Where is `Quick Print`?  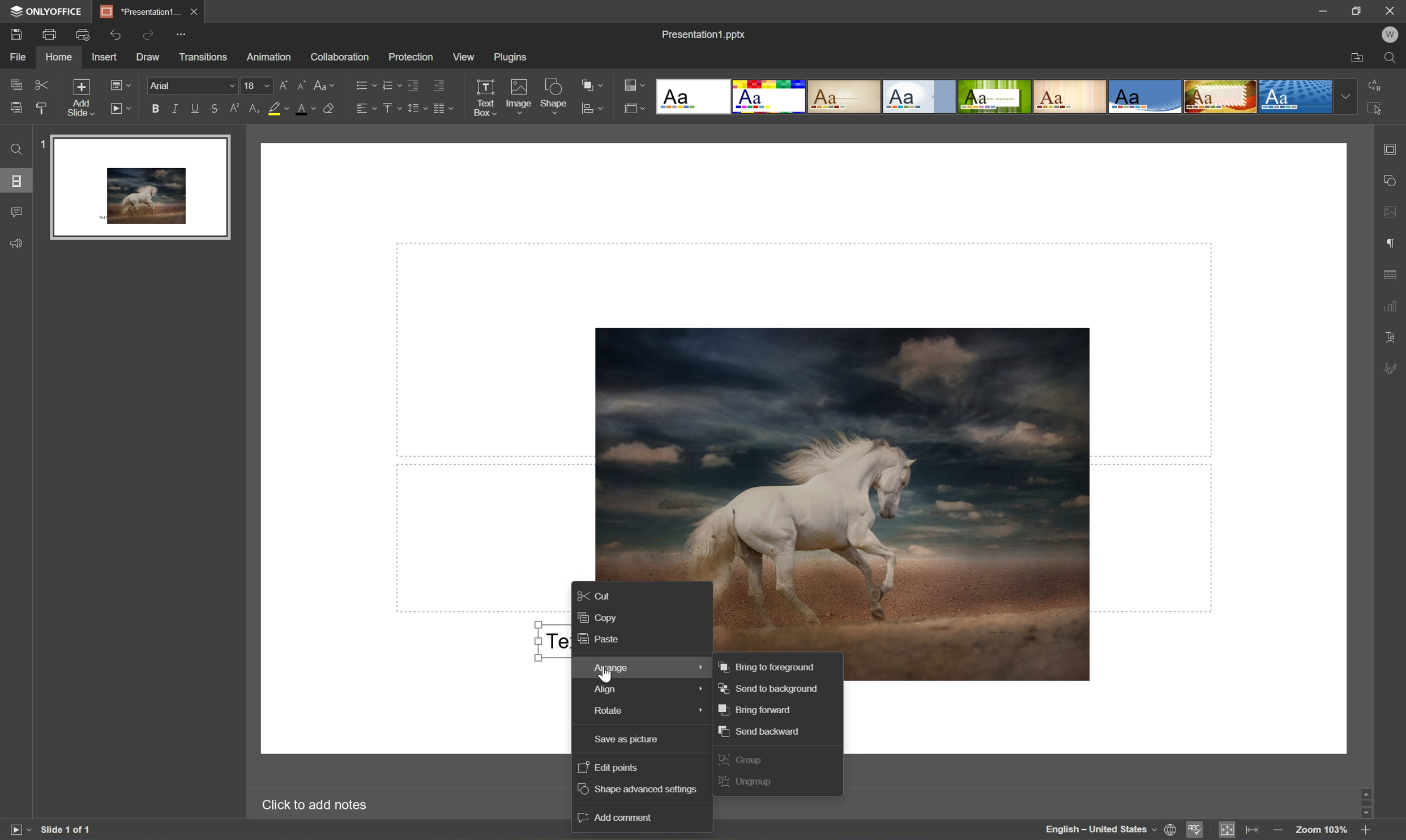 Quick Print is located at coordinates (86, 33).